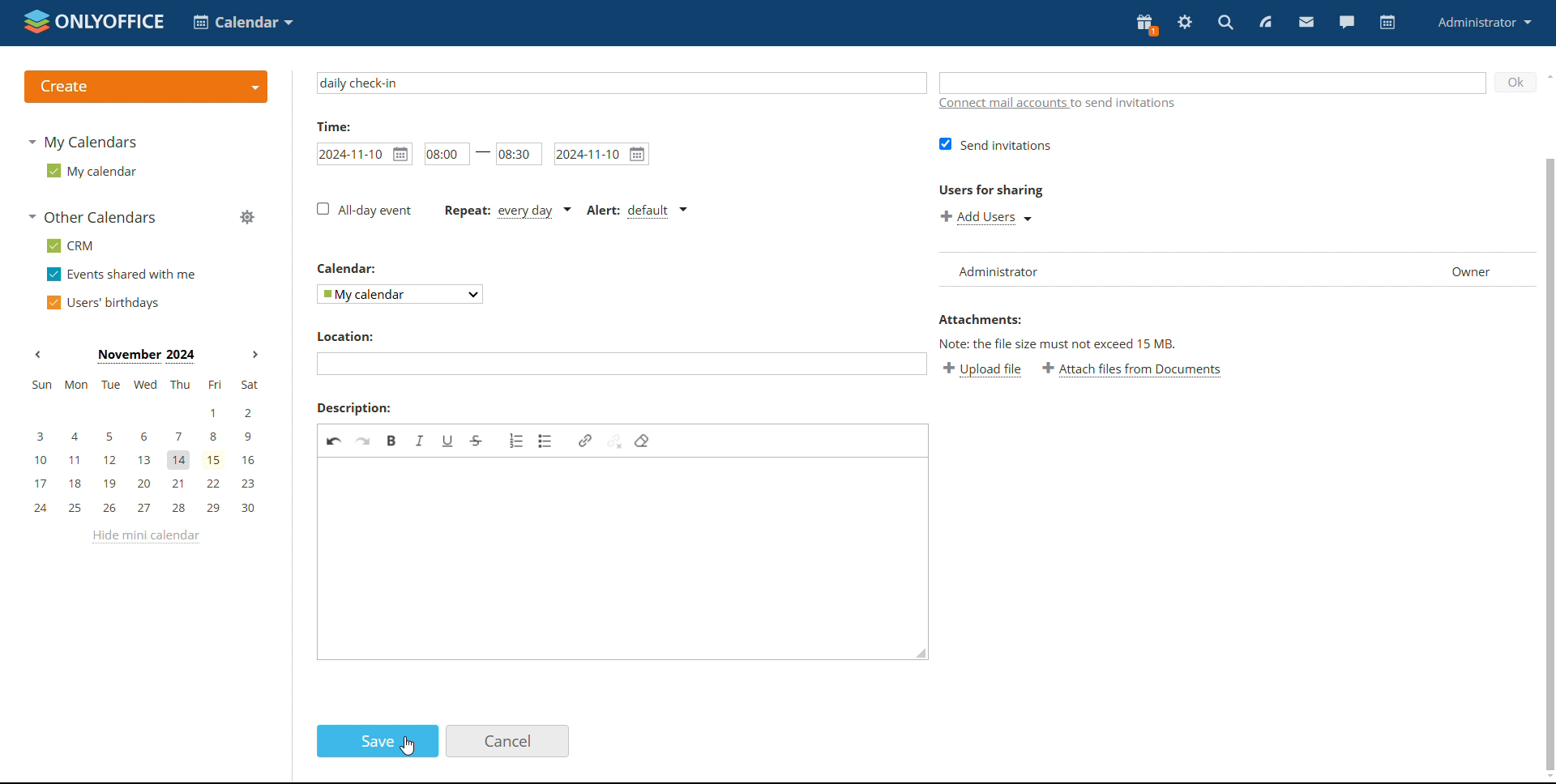 Image resolution: width=1556 pixels, height=784 pixels. Describe the element at coordinates (67, 245) in the screenshot. I see `crm` at that location.